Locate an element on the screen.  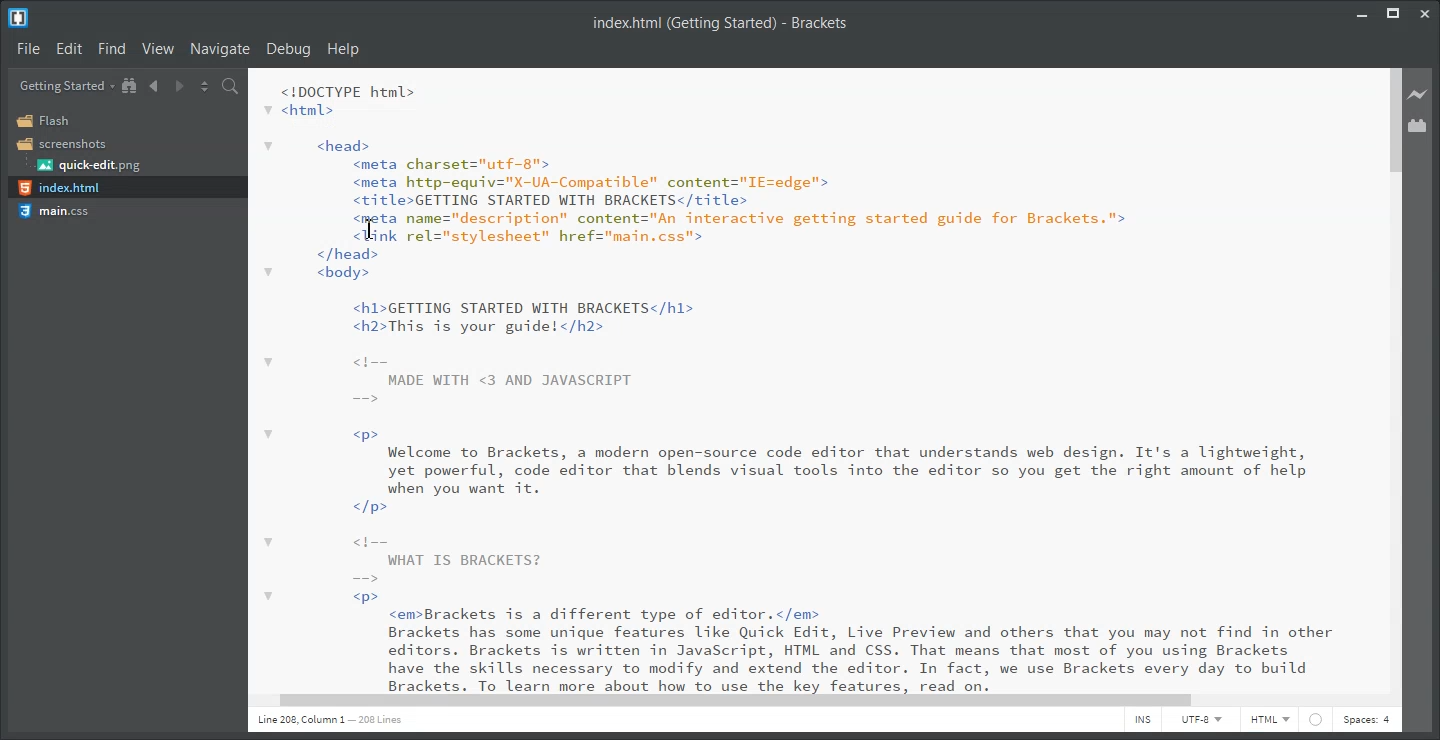
web is located at coordinates (1314, 719).